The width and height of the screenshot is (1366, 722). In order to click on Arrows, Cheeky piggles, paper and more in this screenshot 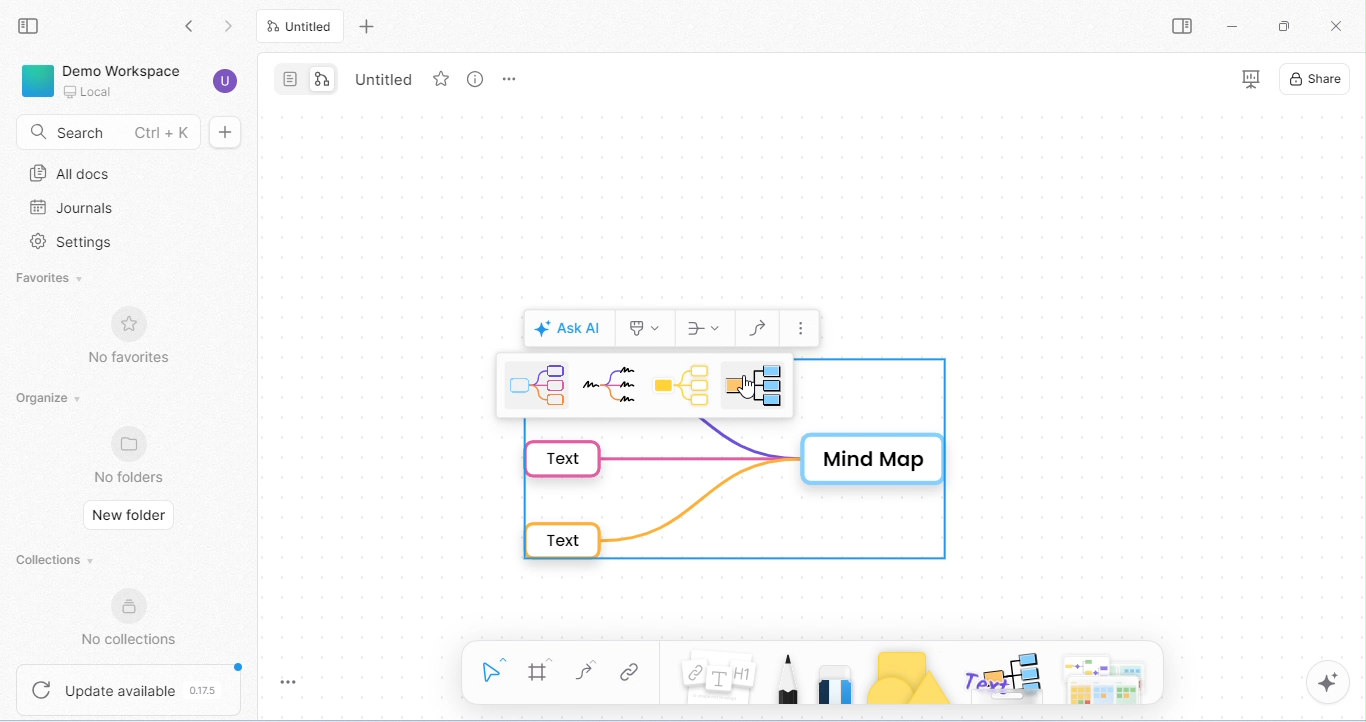, I will do `click(1108, 677)`.